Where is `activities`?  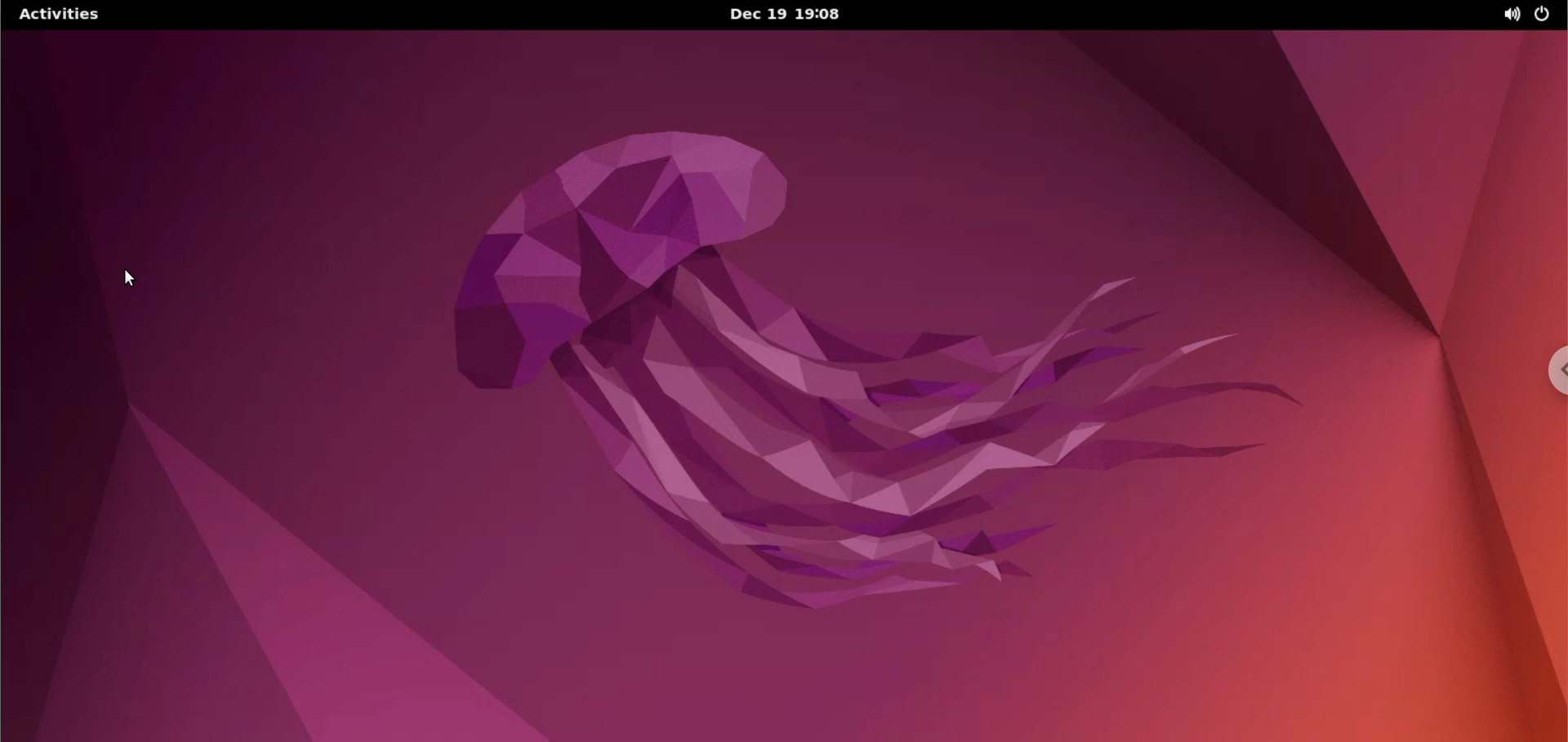
activities is located at coordinates (66, 14).